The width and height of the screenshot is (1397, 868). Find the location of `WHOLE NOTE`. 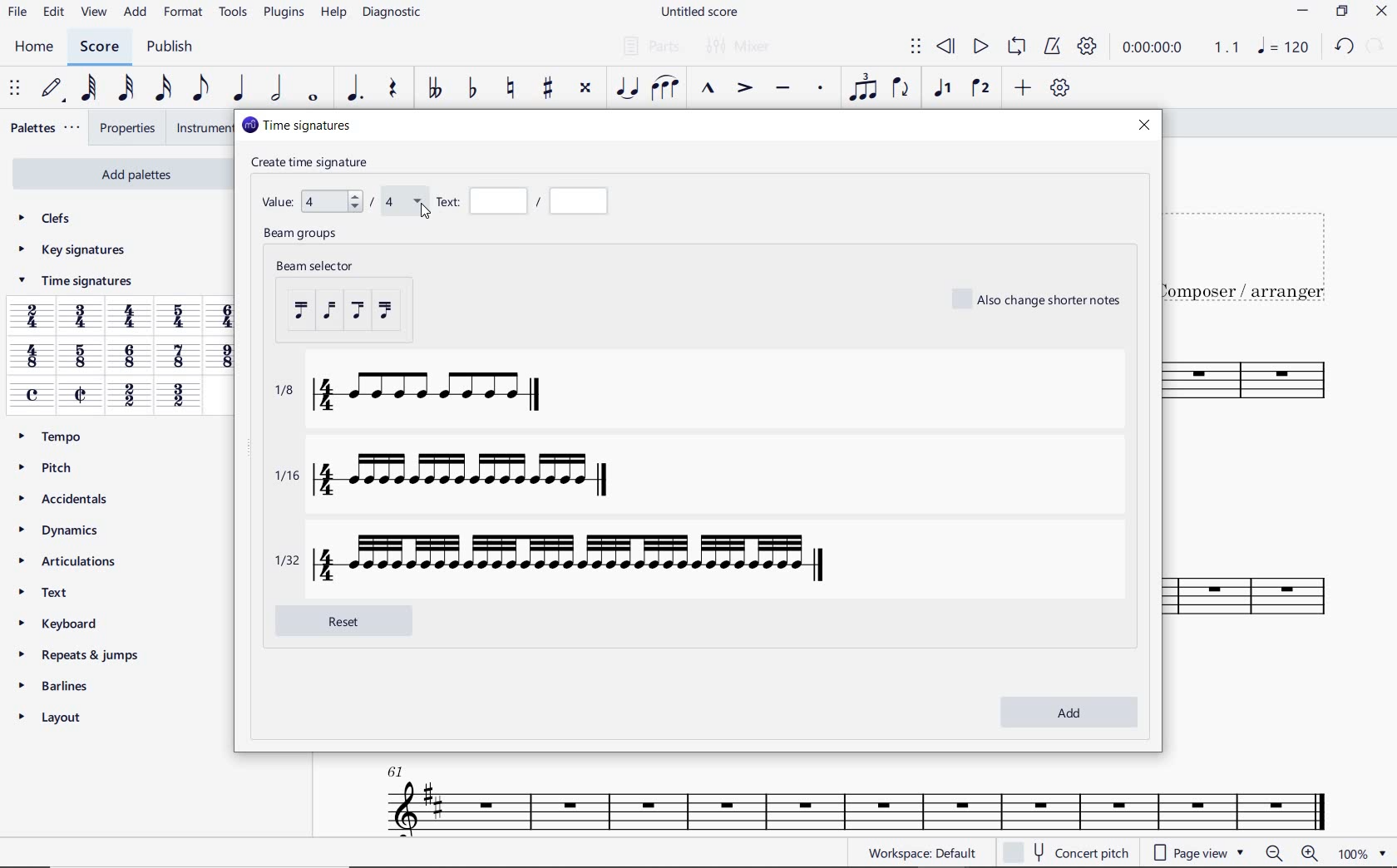

WHOLE NOTE is located at coordinates (313, 100).